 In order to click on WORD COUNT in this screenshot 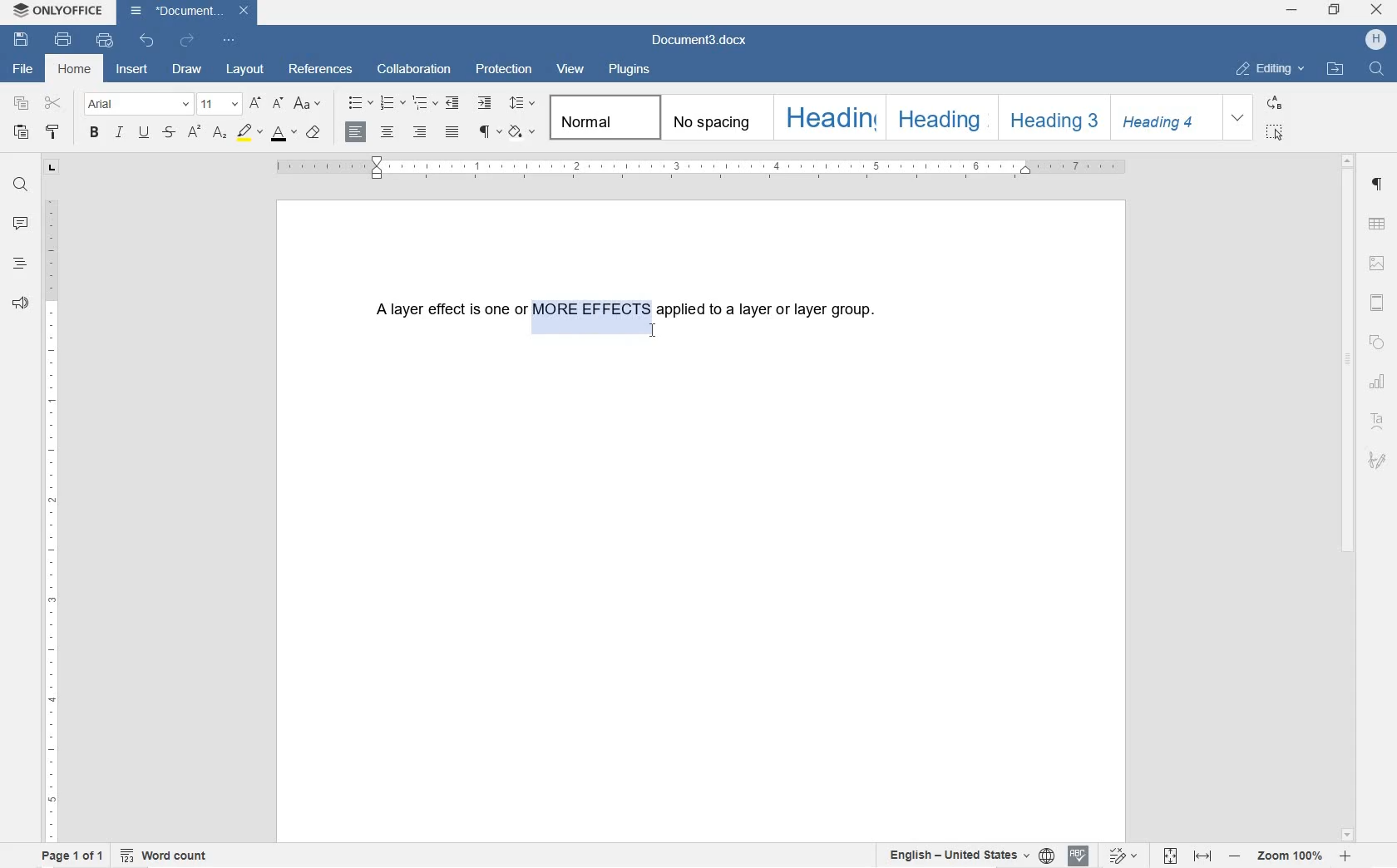, I will do `click(164, 856)`.